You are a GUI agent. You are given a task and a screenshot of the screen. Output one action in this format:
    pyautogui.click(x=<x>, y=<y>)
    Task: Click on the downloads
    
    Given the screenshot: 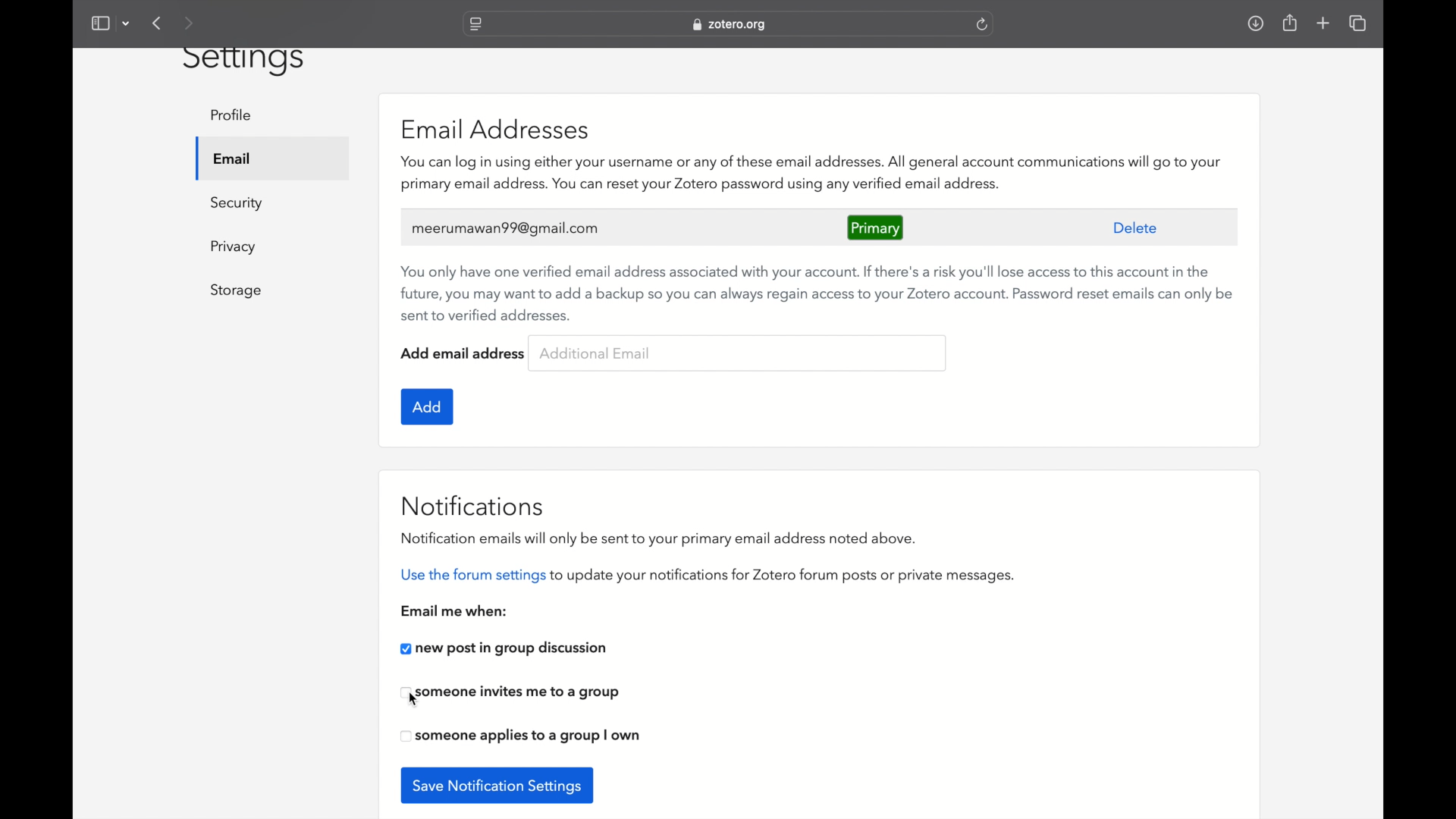 What is the action you would take?
    pyautogui.click(x=1256, y=23)
    